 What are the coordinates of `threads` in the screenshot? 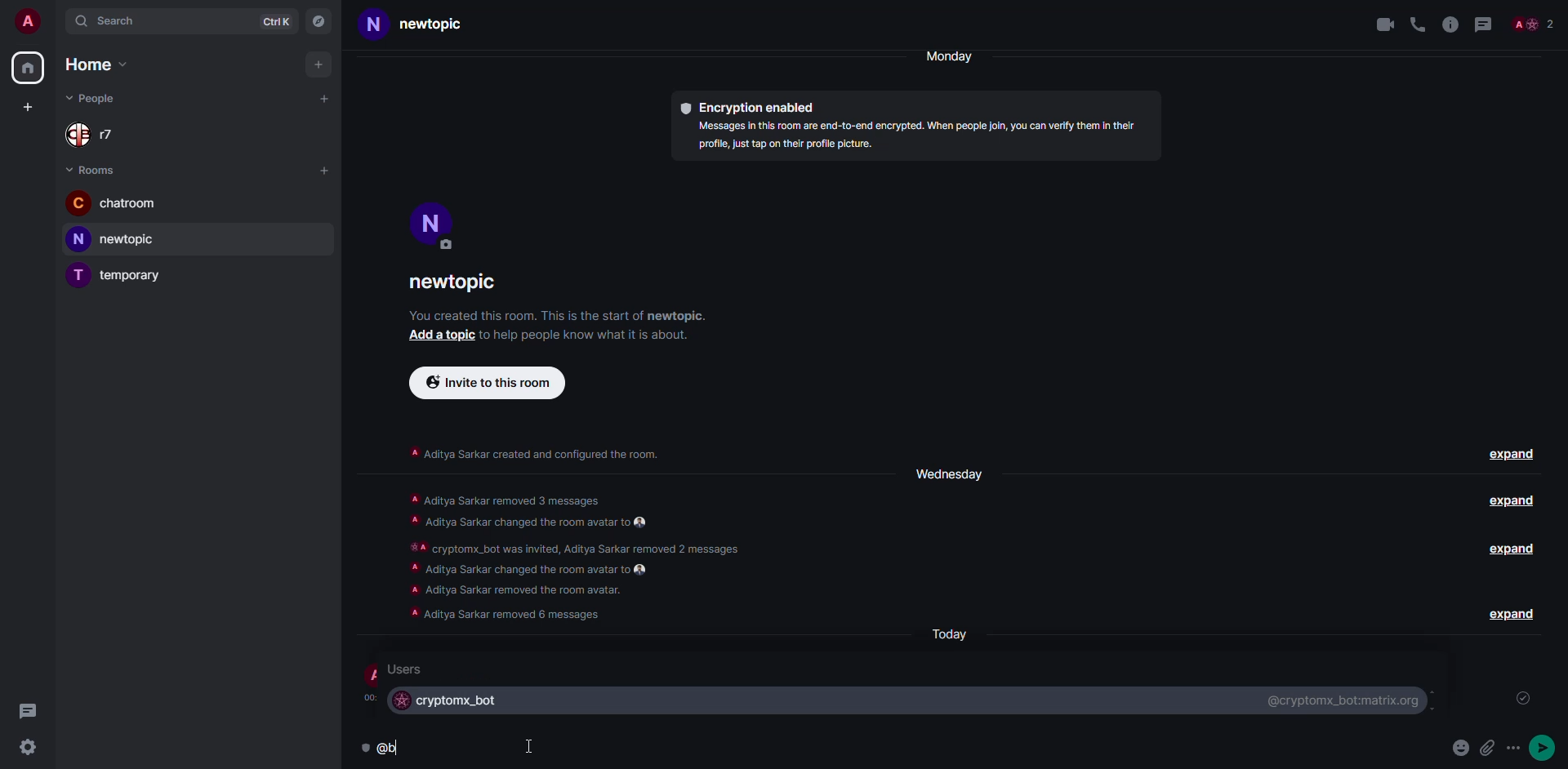 It's located at (1488, 24).